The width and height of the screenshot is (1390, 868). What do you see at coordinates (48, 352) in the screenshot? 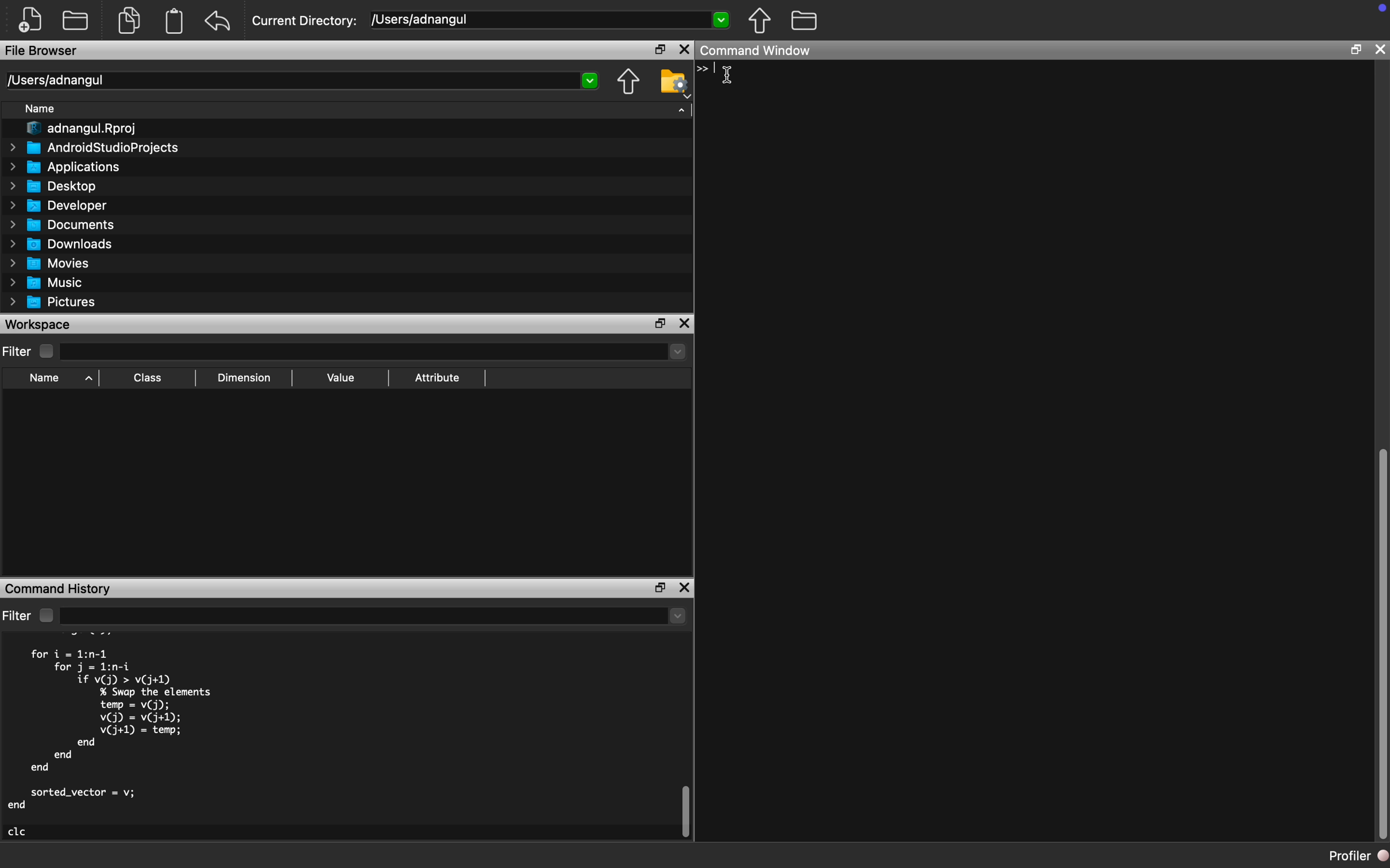
I see `Checkbox` at bounding box center [48, 352].